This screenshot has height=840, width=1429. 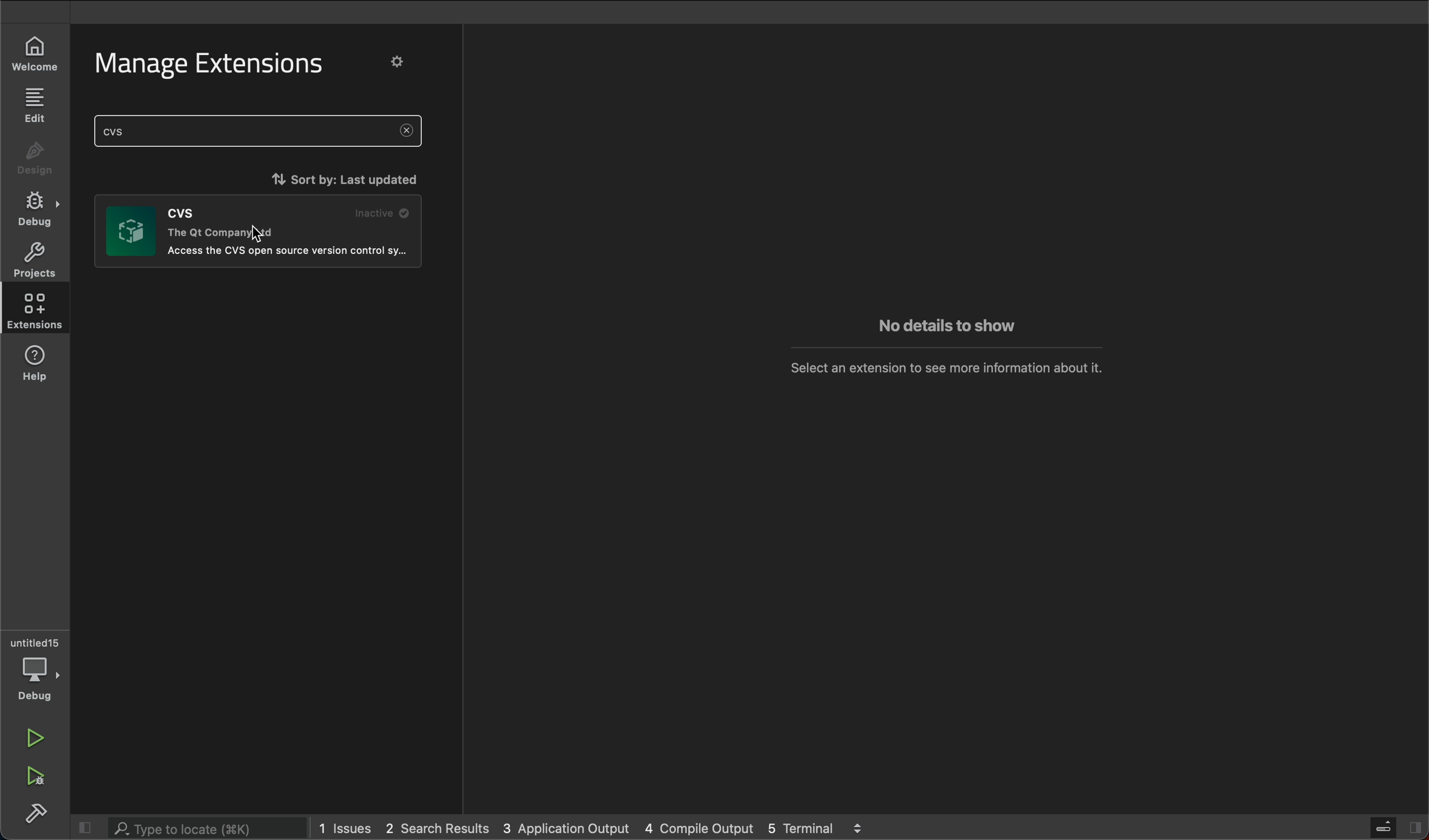 What do you see at coordinates (37, 668) in the screenshot?
I see `debuger` at bounding box center [37, 668].